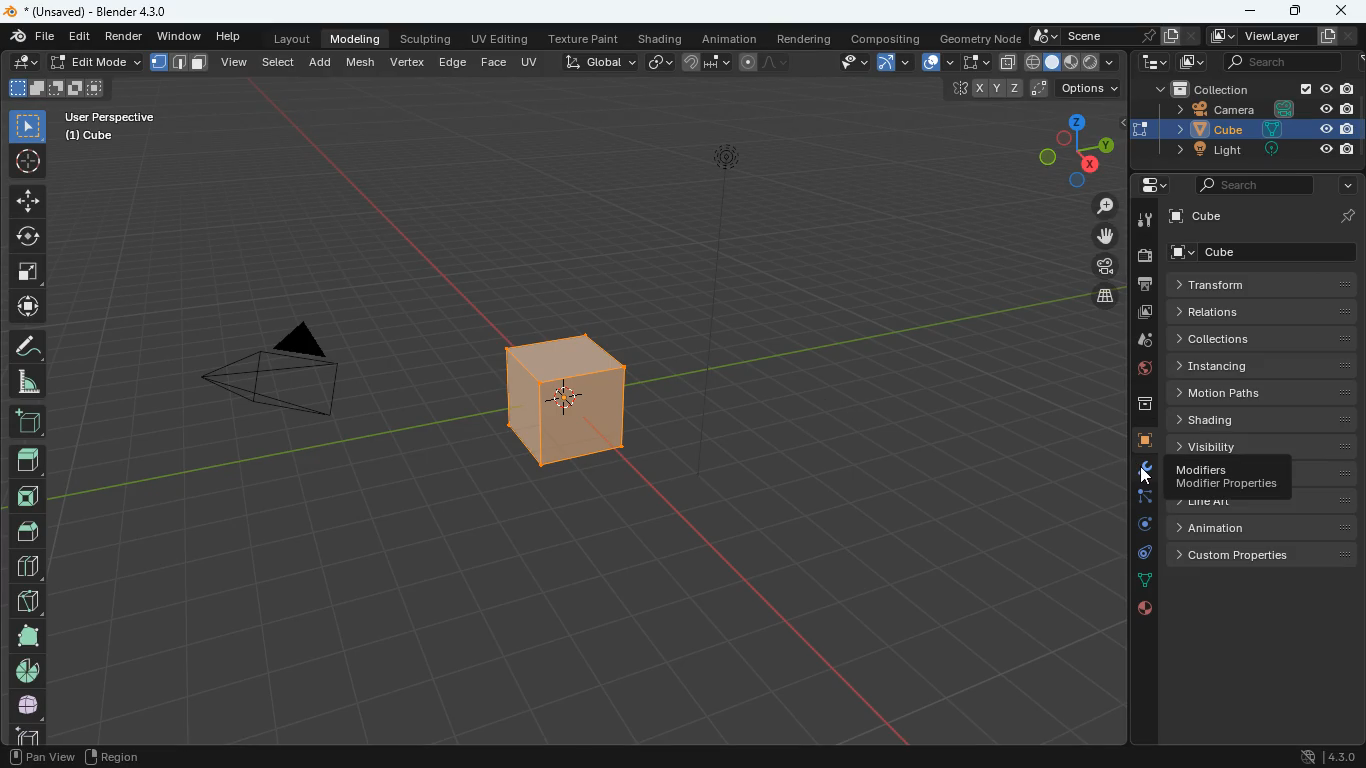  Describe the element at coordinates (356, 37) in the screenshot. I see `modeling` at that location.